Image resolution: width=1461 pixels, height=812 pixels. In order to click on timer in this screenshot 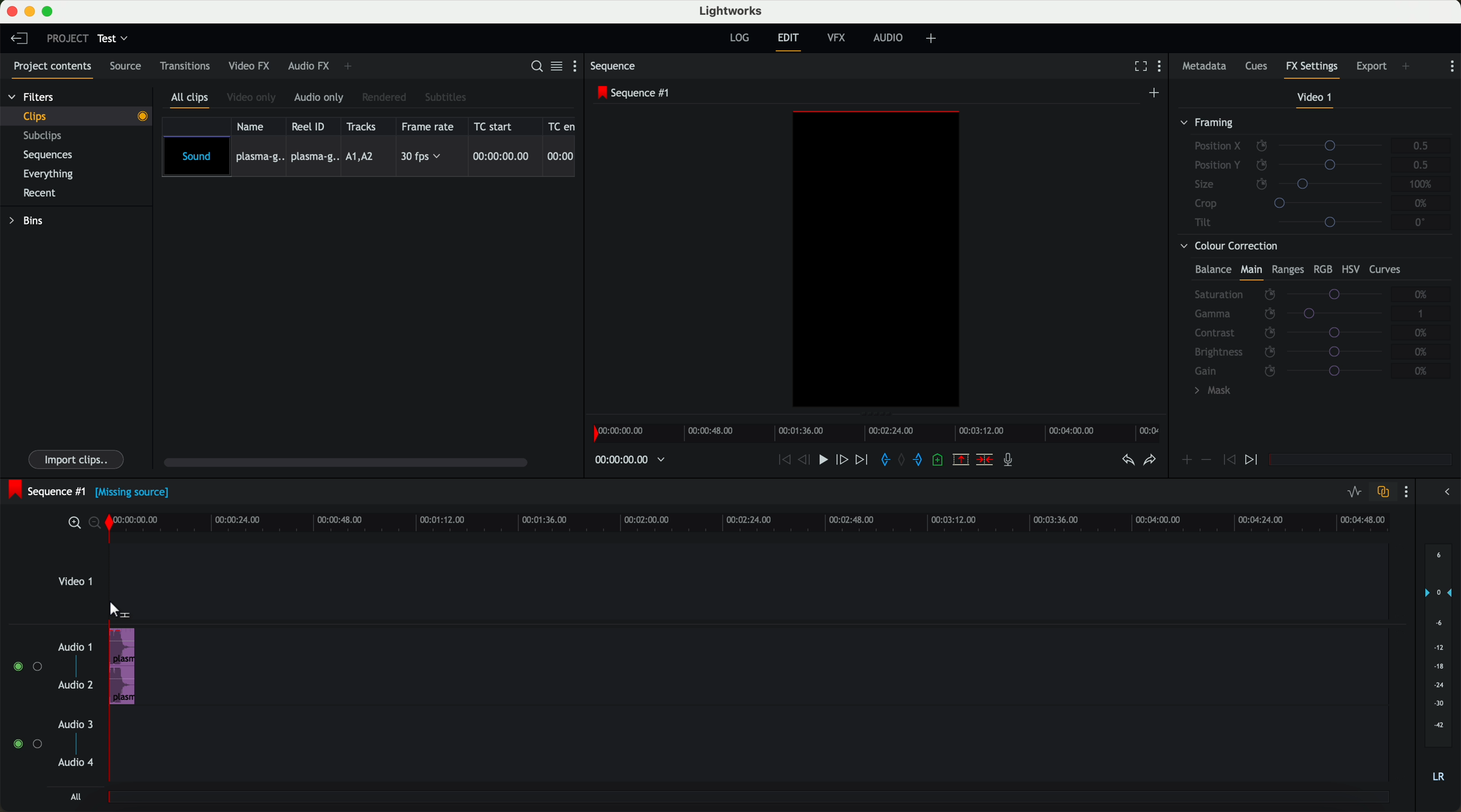, I will do `click(628, 460)`.